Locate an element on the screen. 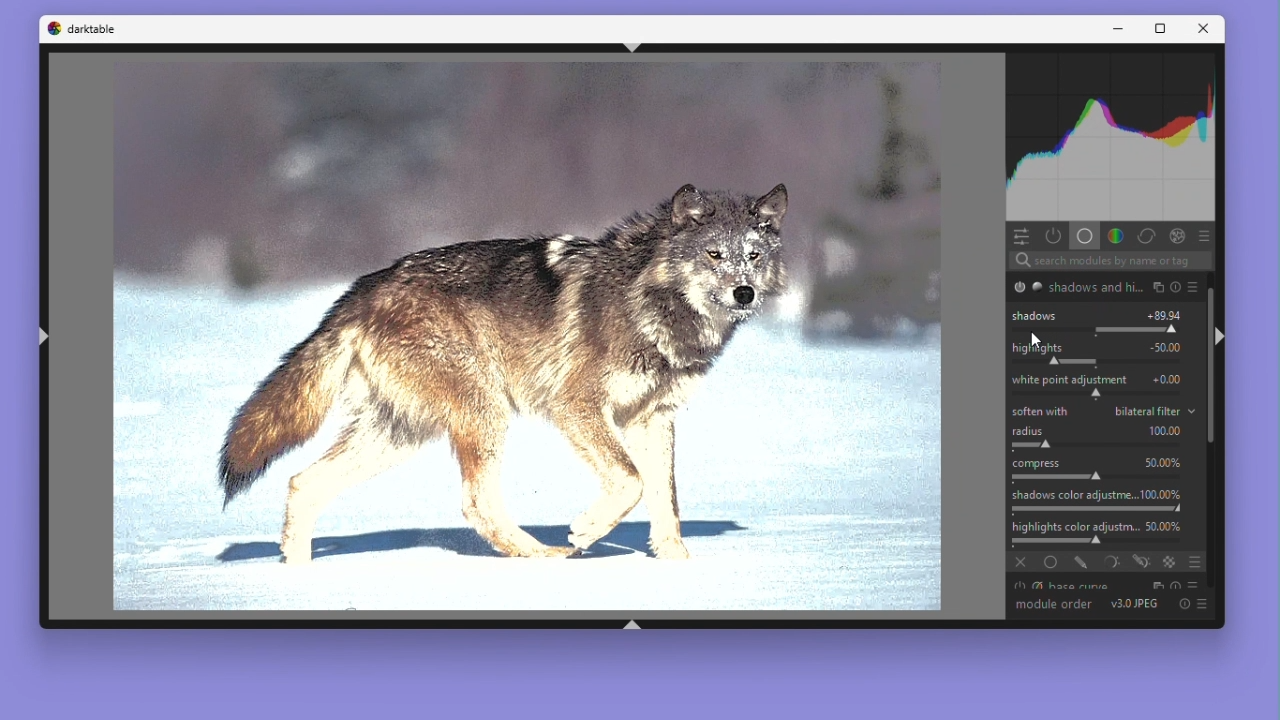 This screenshot has height=720, width=1280. darktable is located at coordinates (106, 29).